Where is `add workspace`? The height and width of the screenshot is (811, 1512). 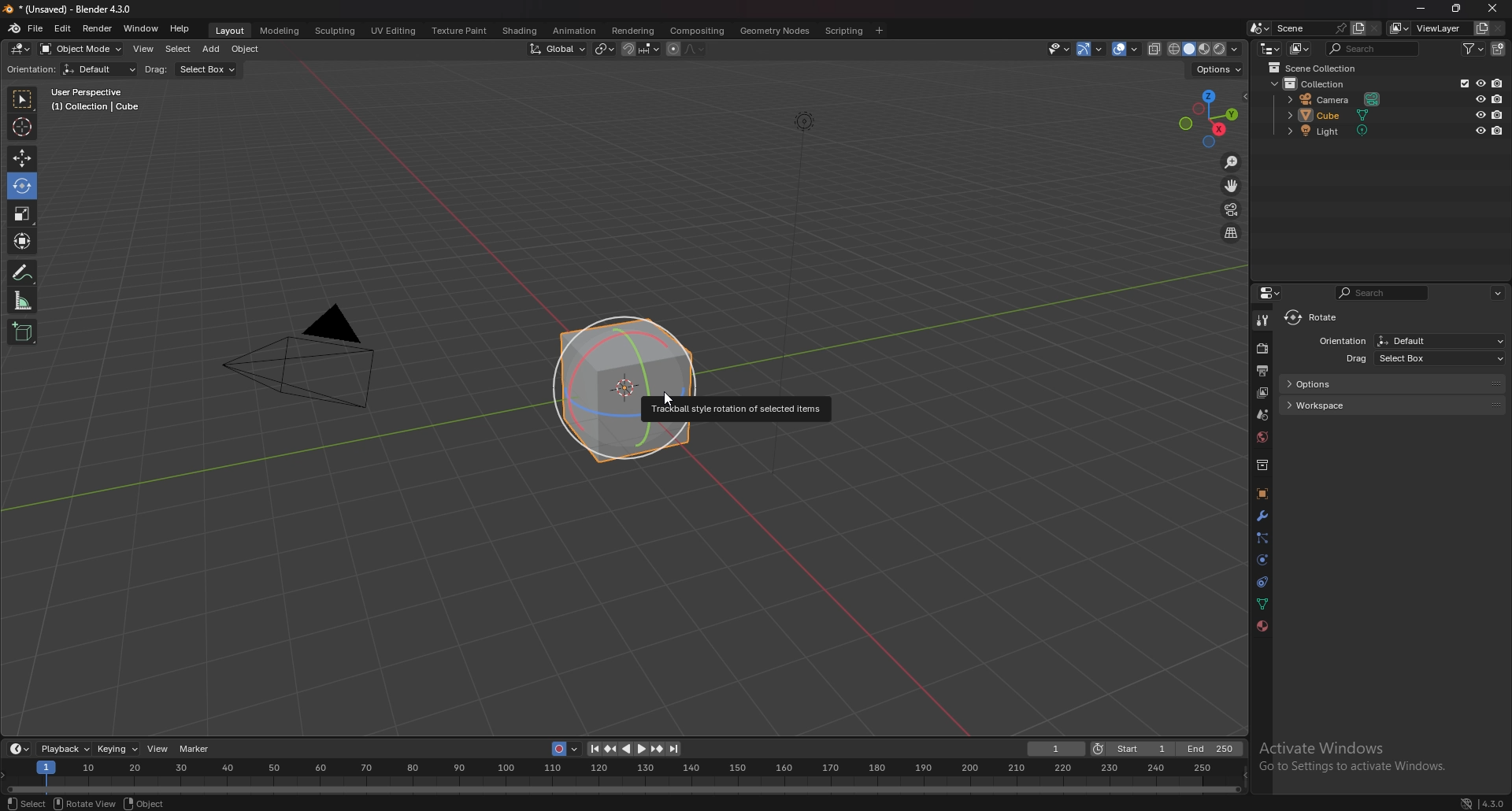
add workspace is located at coordinates (880, 30).